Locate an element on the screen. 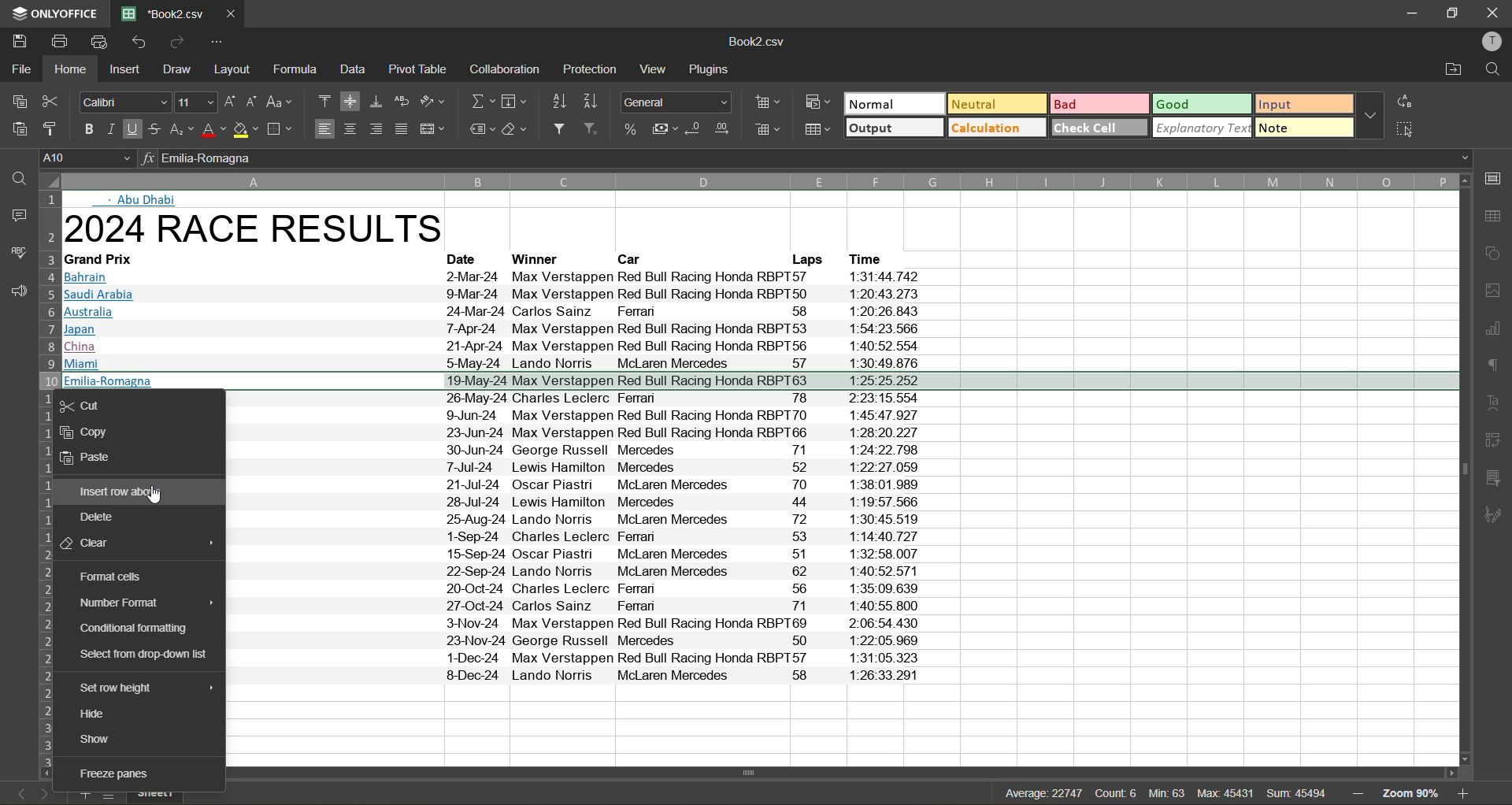 The height and width of the screenshot is (805, 1512). paste is located at coordinates (16, 131).